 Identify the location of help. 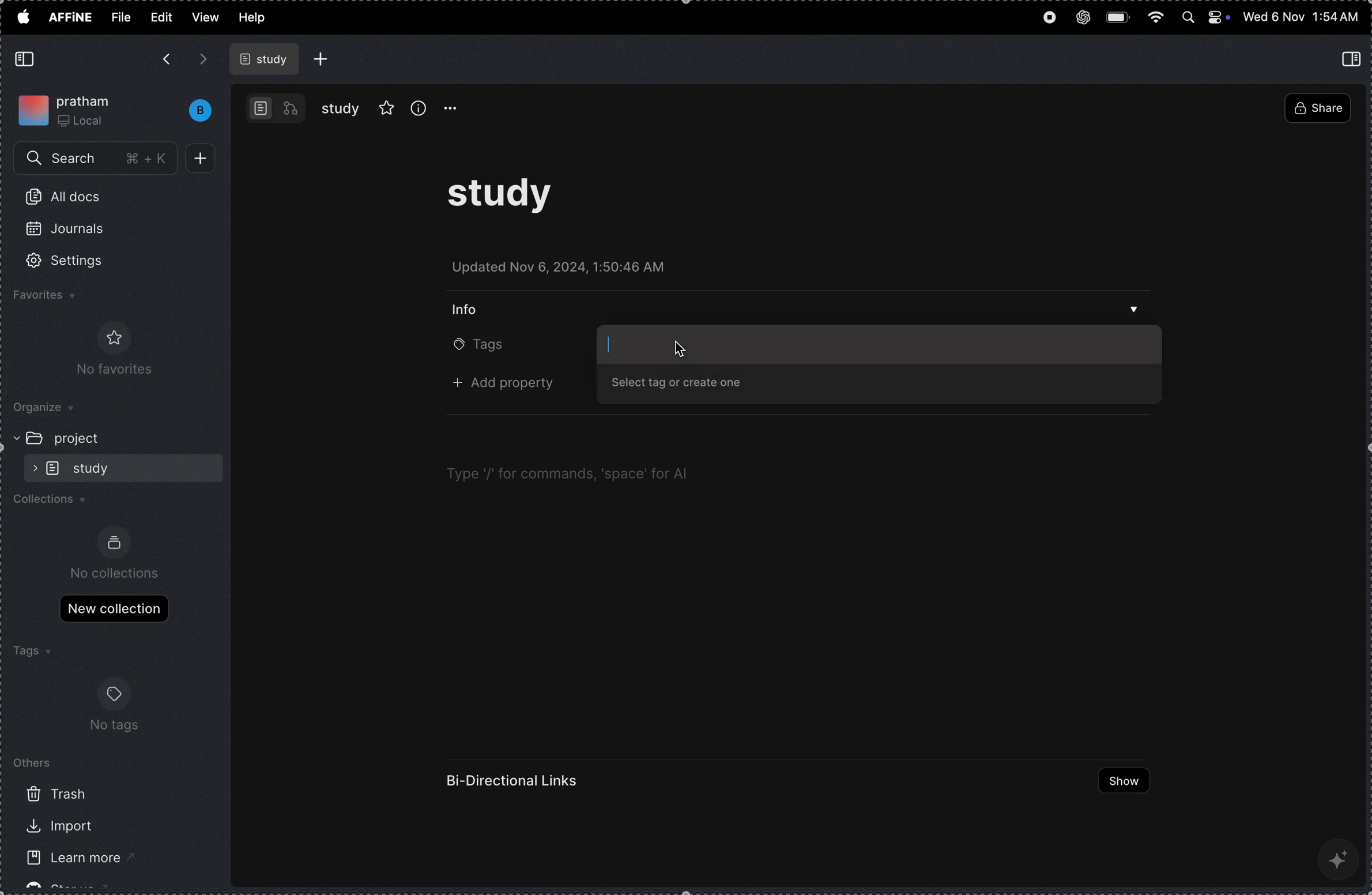
(258, 18).